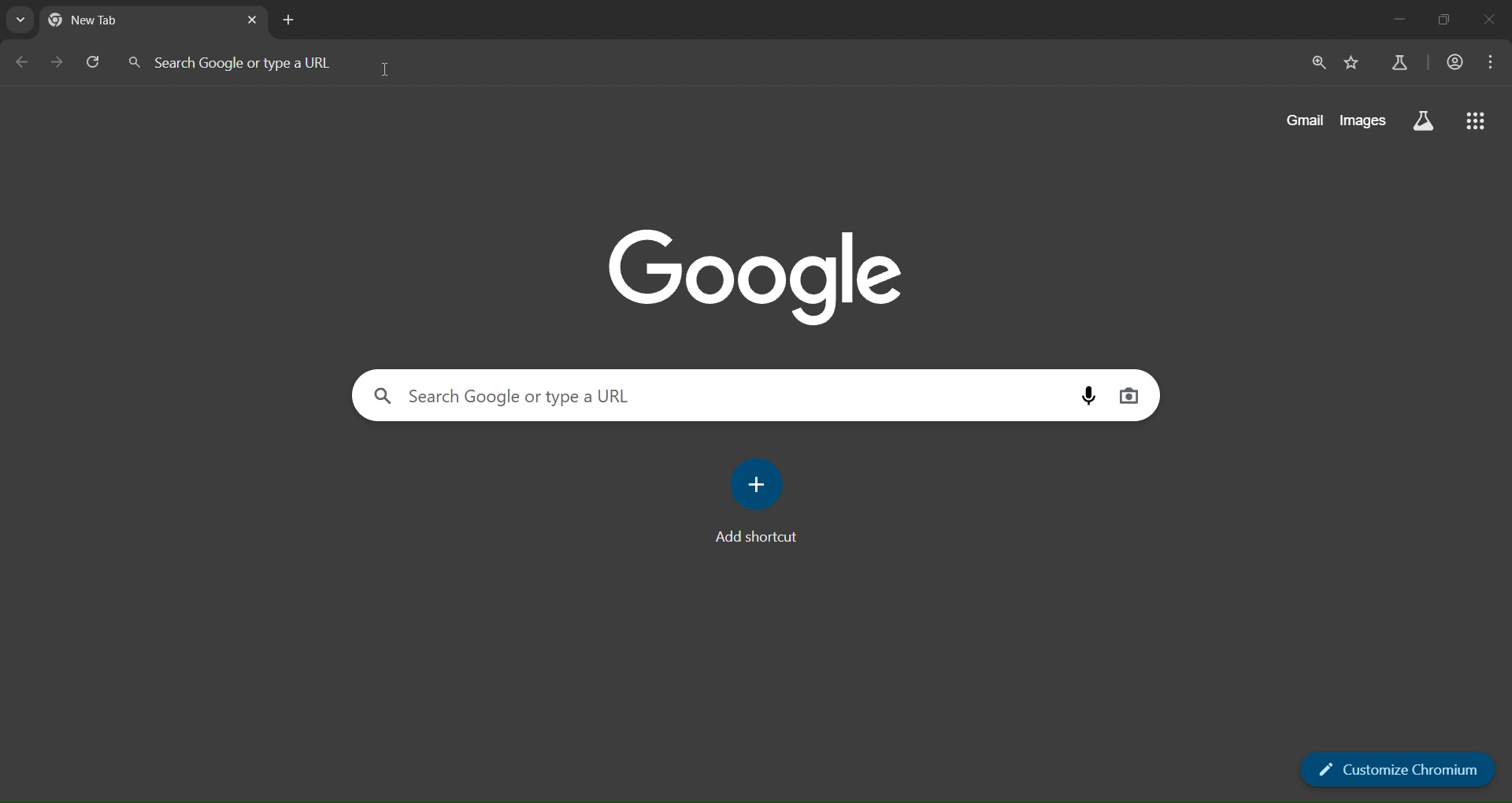 The width and height of the screenshot is (1512, 803). What do you see at coordinates (1492, 62) in the screenshot?
I see `more options` at bounding box center [1492, 62].